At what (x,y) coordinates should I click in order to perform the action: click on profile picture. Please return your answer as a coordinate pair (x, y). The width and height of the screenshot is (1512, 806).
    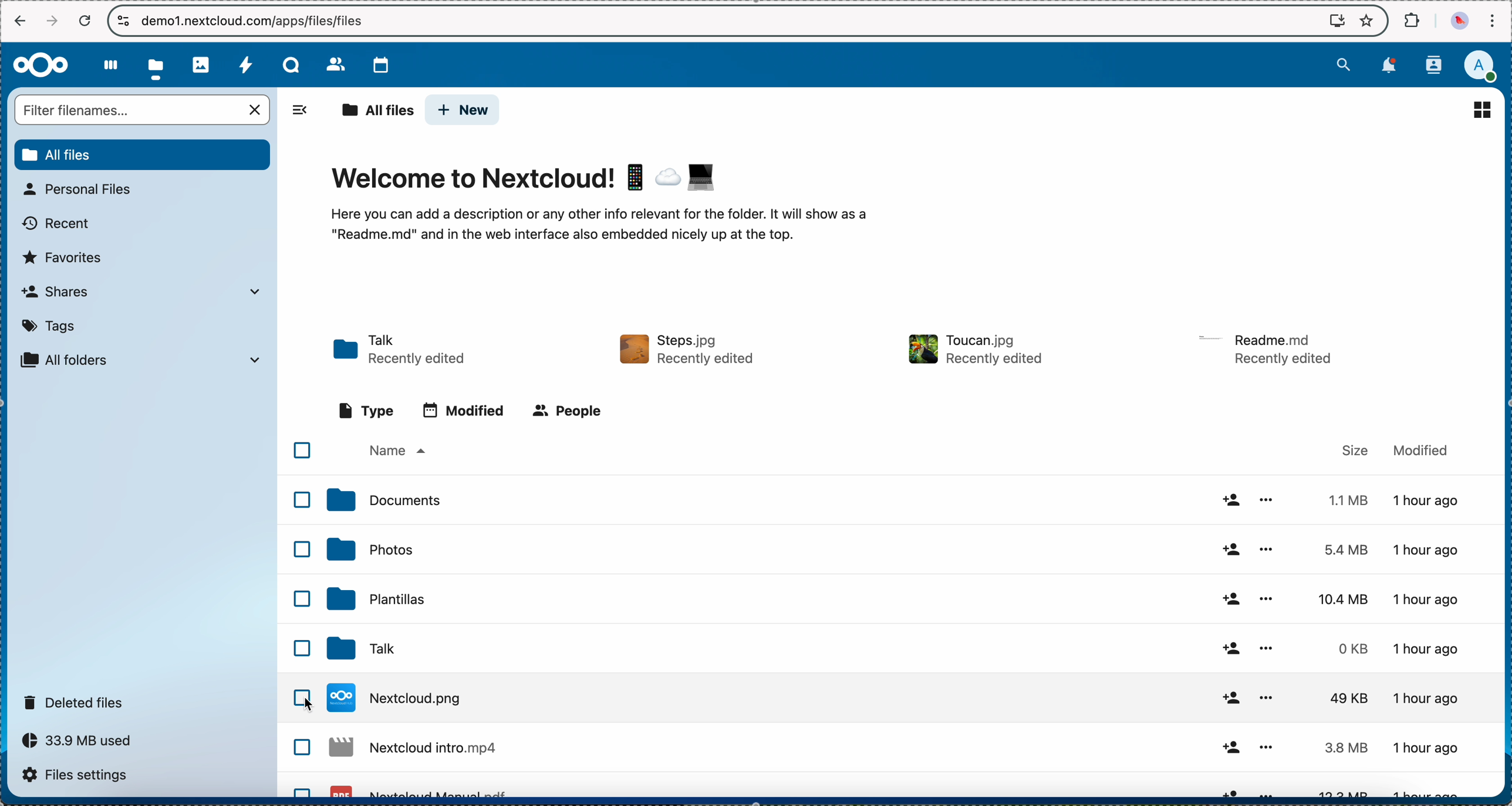
    Looking at the image, I should click on (1458, 21).